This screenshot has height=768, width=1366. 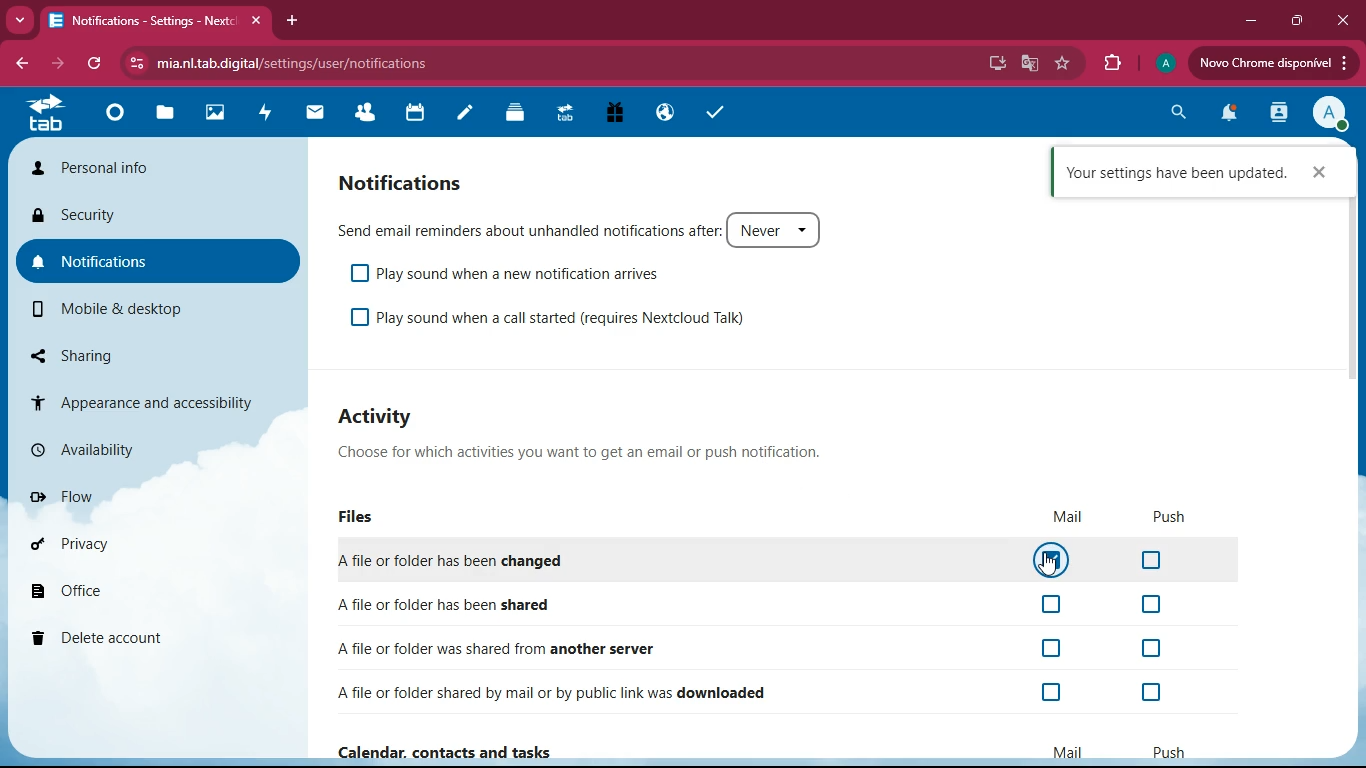 I want to click on play sound, so click(x=563, y=318).